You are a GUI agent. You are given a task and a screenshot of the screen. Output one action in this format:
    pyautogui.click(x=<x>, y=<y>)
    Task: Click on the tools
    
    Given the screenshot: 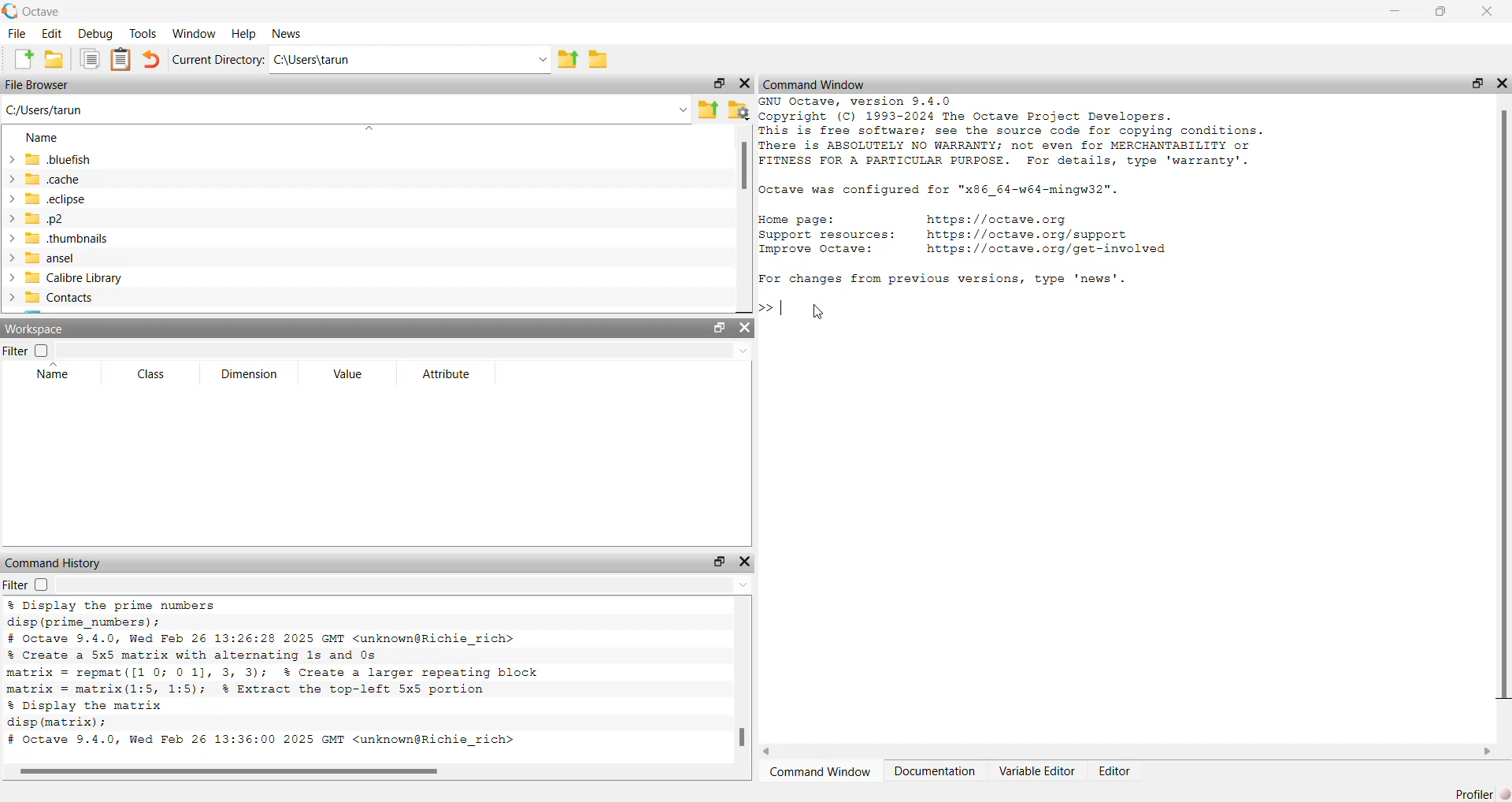 What is the action you would take?
    pyautogui.click(x=144, y=32)
    